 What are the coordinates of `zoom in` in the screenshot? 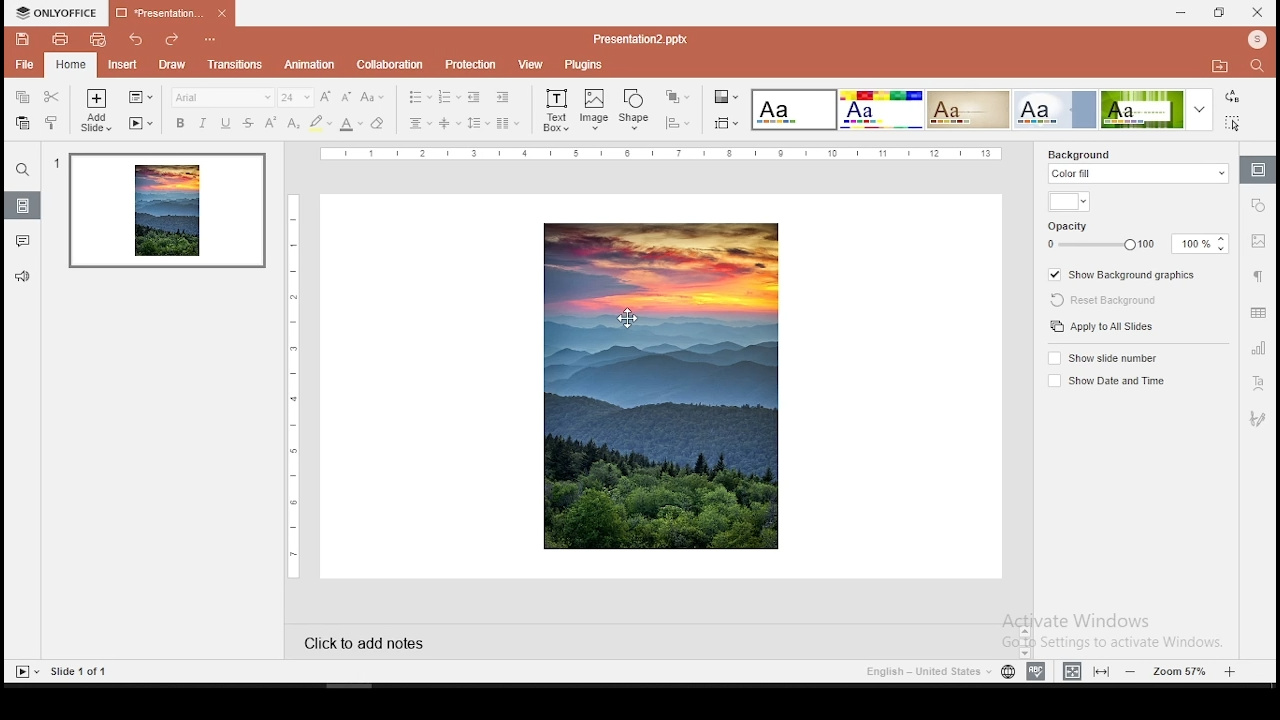 It's located at (1232, 672).